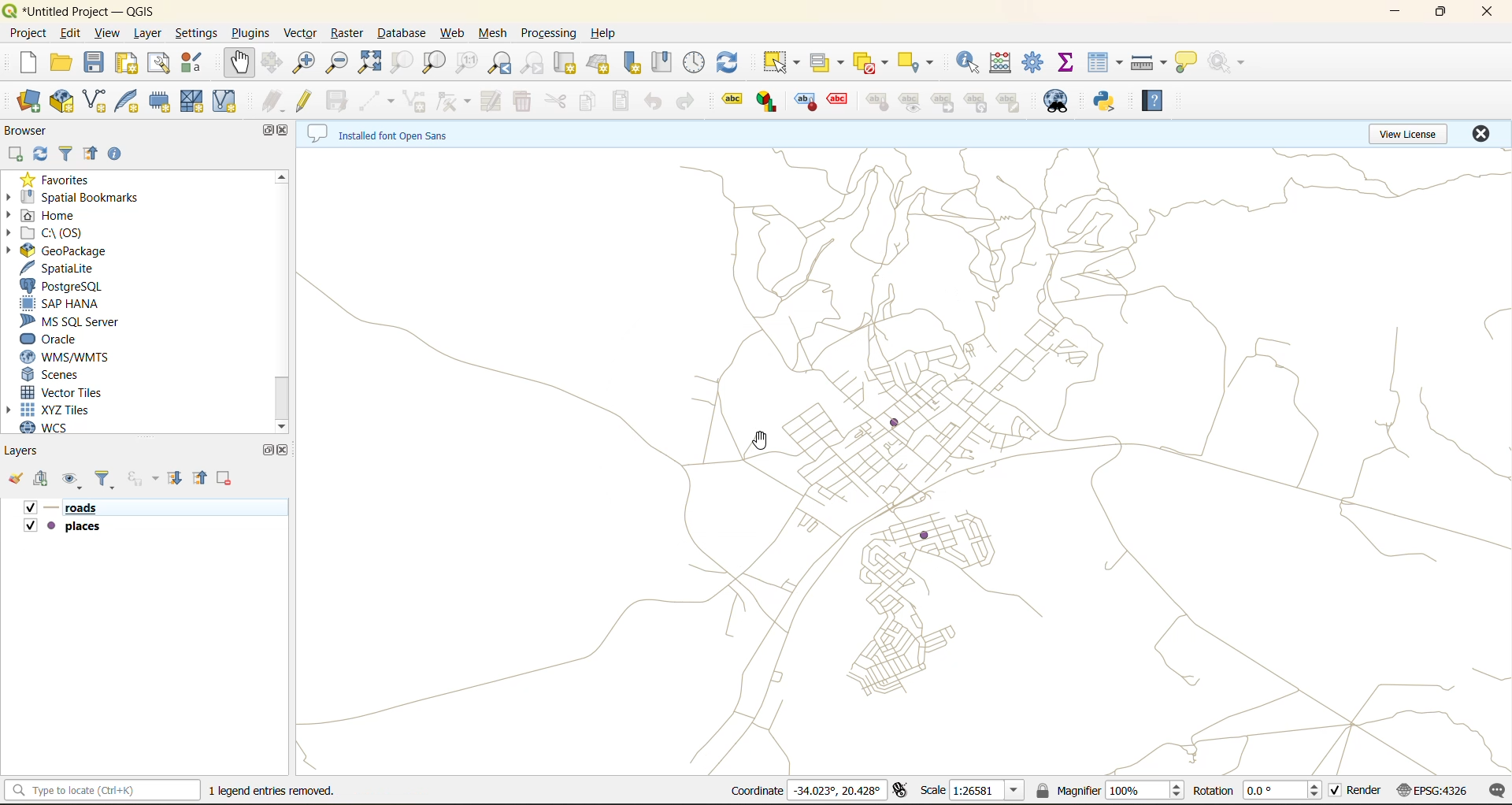 This screenshot has height=805, width=1512. What do you see at coordinates (272, 101) in the screenshot?
I see `edits` at bounding box center [272, 101].